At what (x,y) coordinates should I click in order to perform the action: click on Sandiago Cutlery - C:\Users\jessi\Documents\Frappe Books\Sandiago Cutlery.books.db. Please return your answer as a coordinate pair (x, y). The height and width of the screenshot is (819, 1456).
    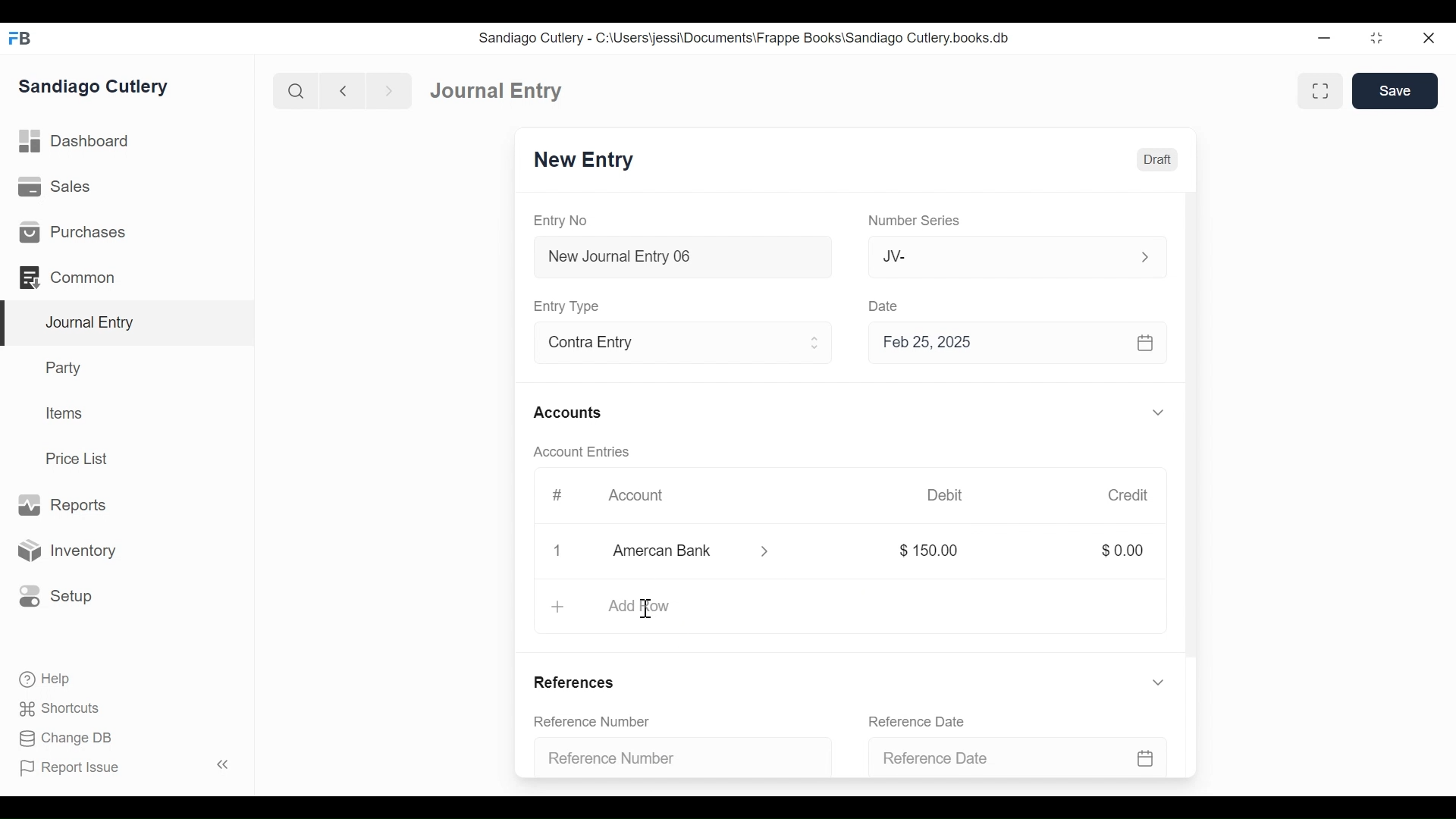
    Looking at the image, I should click on (745, 38).